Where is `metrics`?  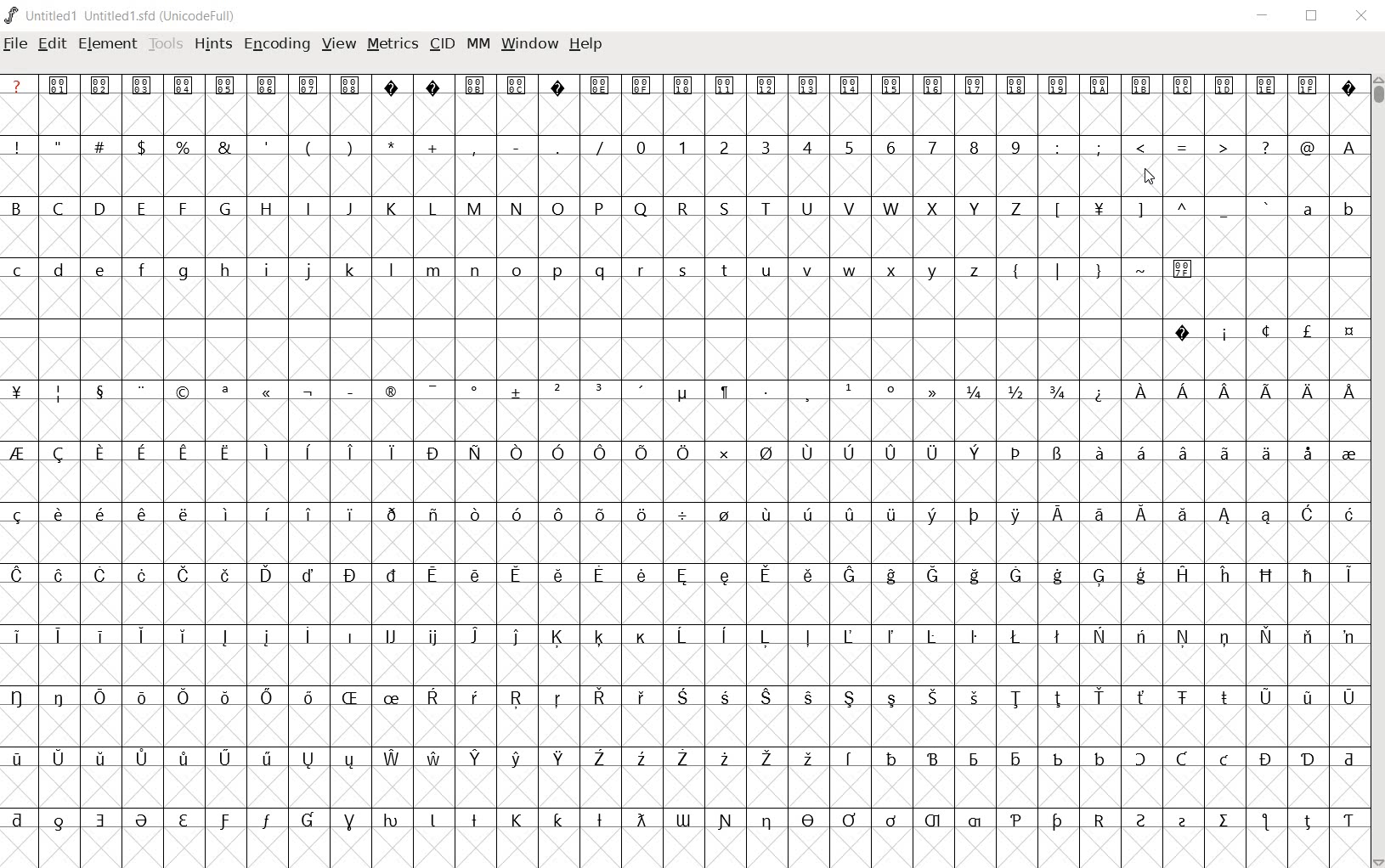
metrics is located at coordinates (393, 45).